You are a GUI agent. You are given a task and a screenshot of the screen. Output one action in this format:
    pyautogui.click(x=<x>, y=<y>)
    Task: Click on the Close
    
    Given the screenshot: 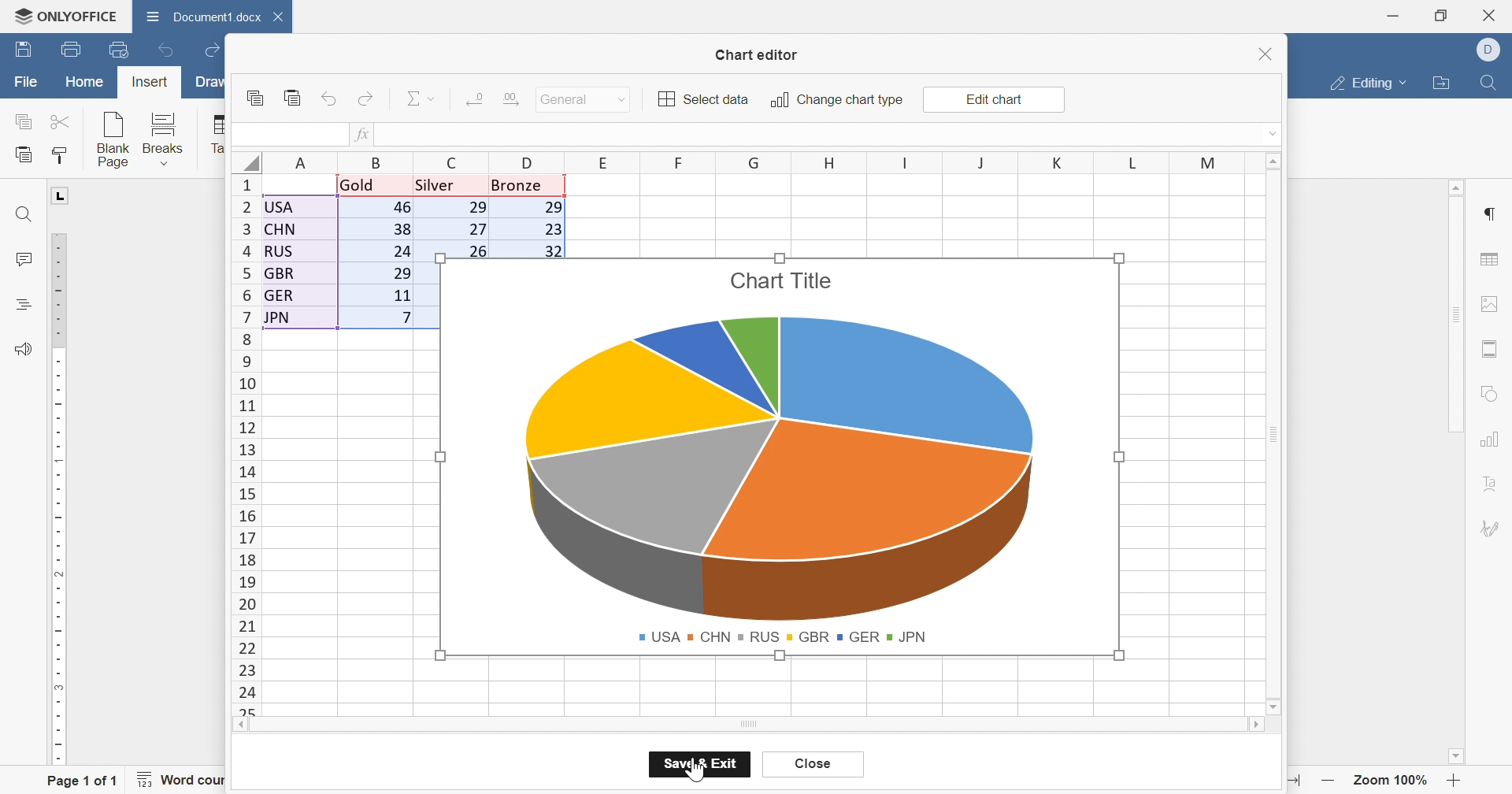 What is the action you would take?
    pyautogui.click(x=1491, y=15)
    